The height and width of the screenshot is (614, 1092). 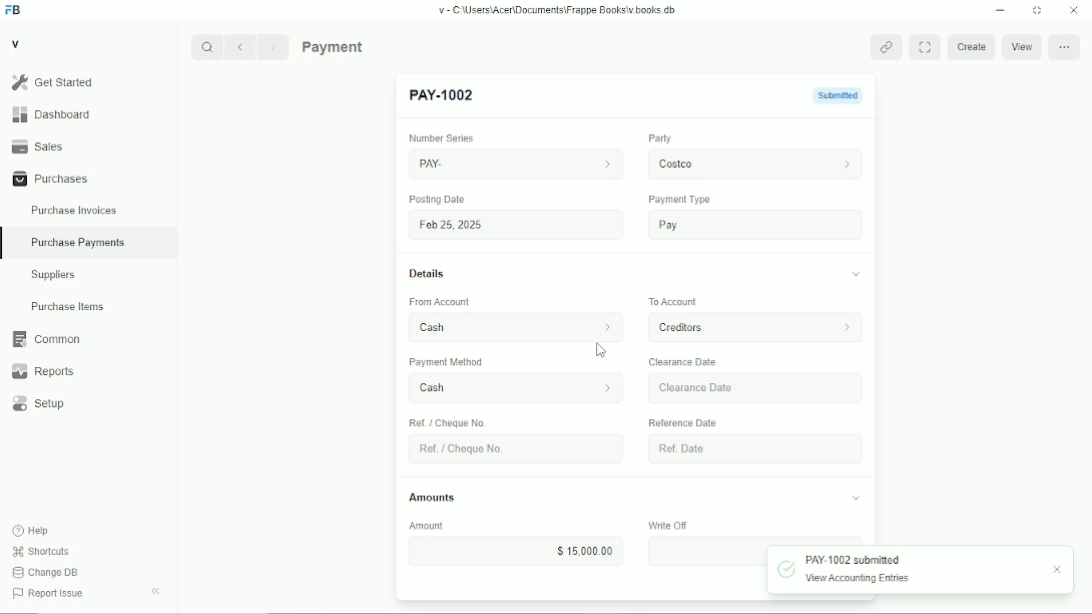 What do you see at coordinates (89, 244) in the screenshot?
I see `Purchase Payments` at bounding box center [89, 244].